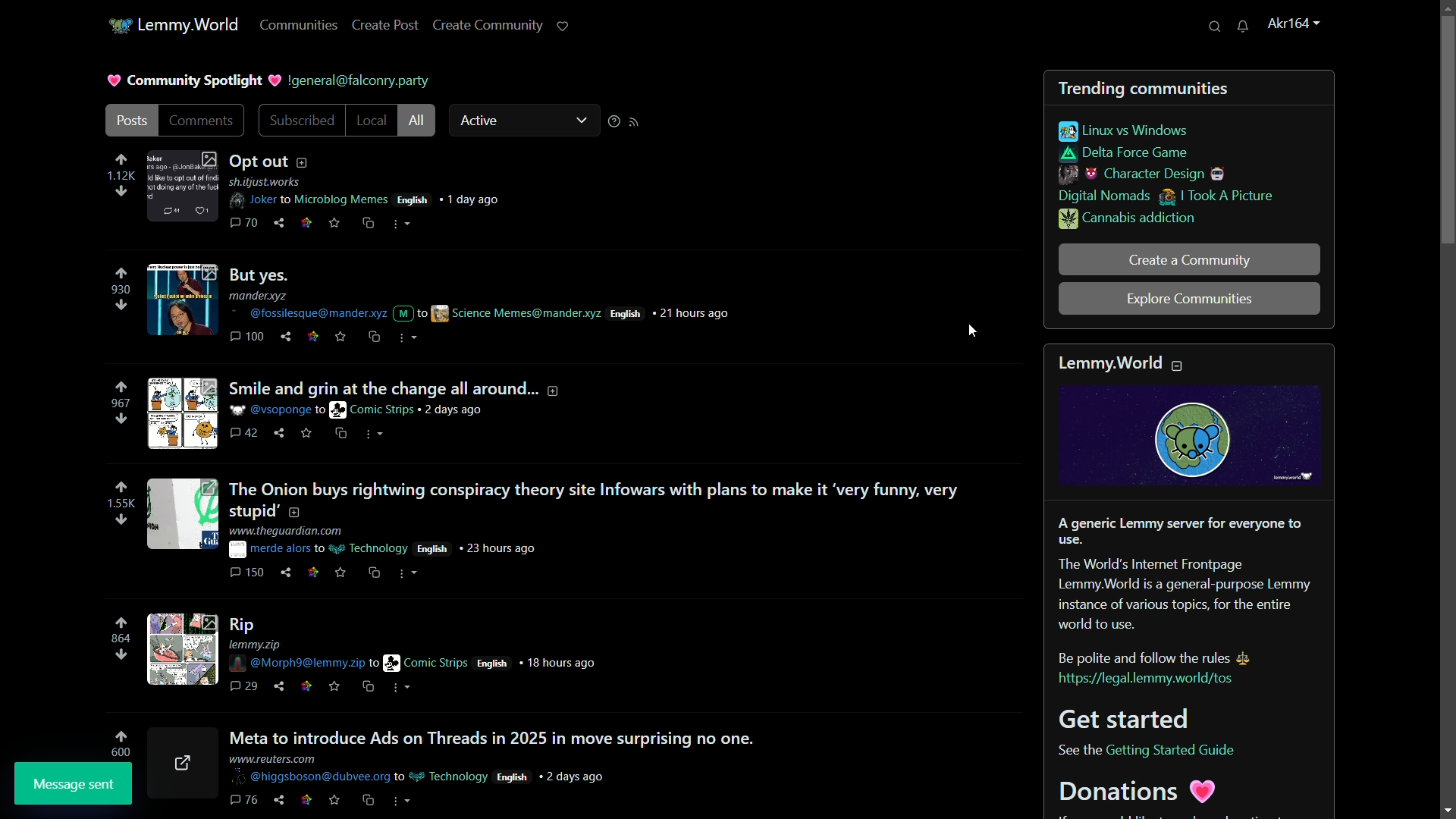  I want to click on about lemmy.world, so click(1189, 581).